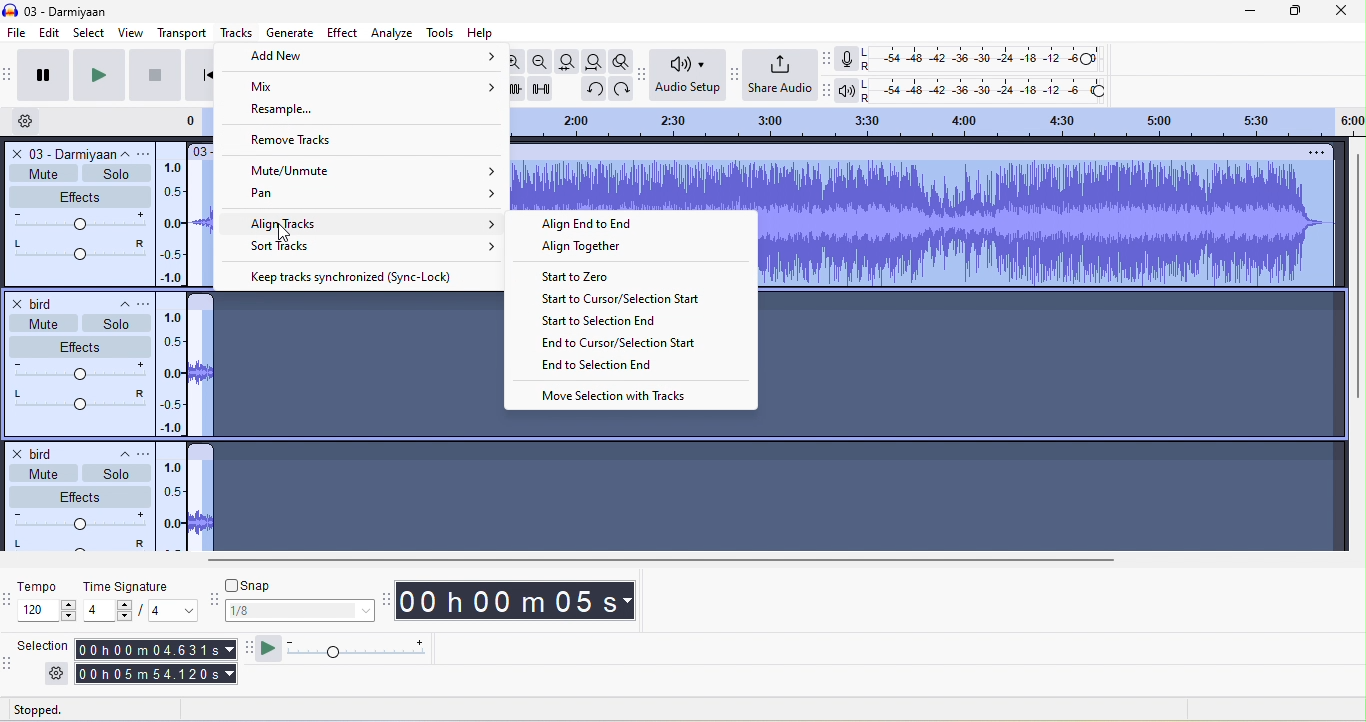 The height and width of the screenshot is (722, 1366). Describe the element at coordinates (79, 222) in the screenshot. I see `volume` at that location.